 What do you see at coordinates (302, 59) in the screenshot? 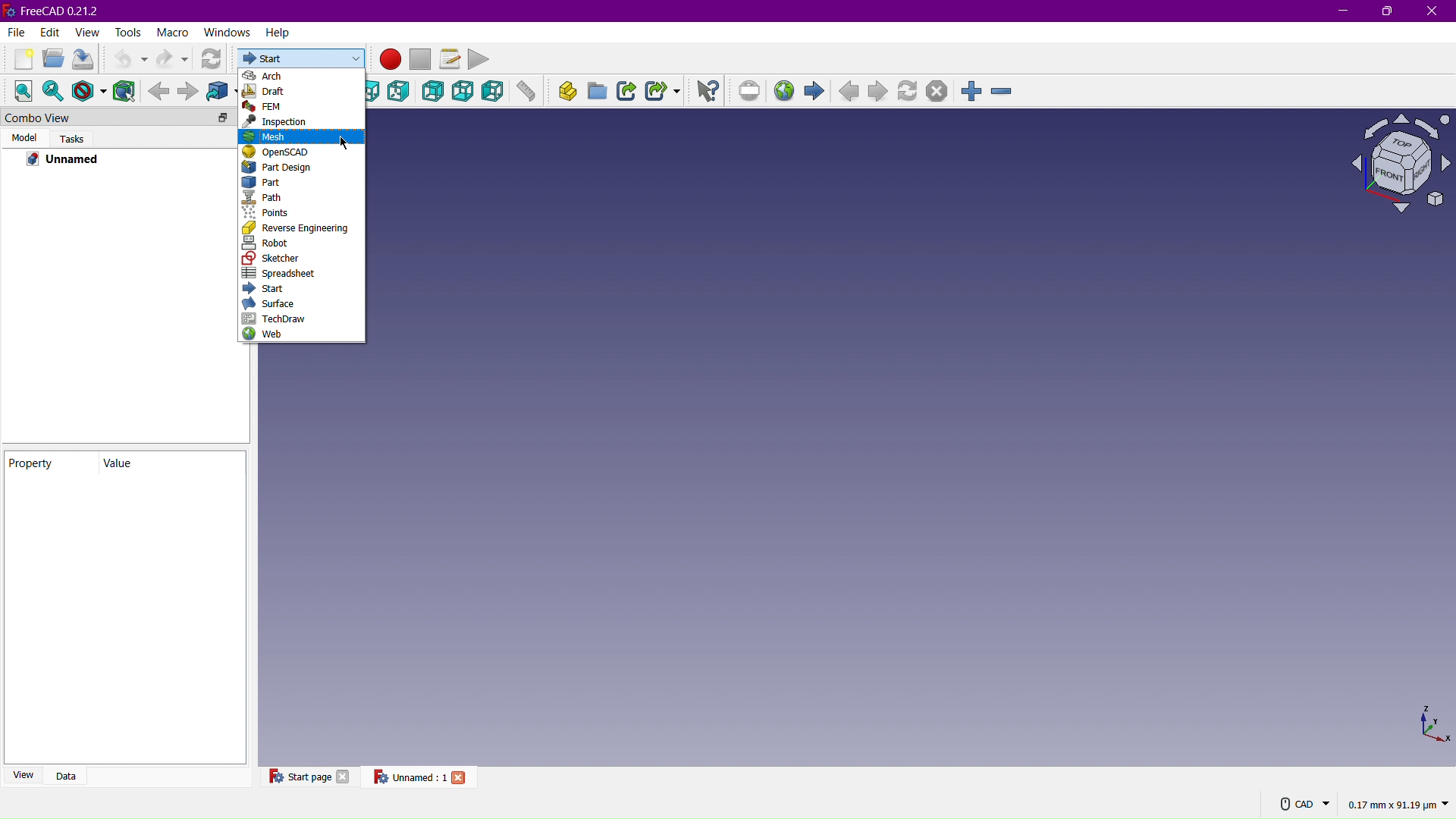
I see `Start` at bounding box center [302, 59].